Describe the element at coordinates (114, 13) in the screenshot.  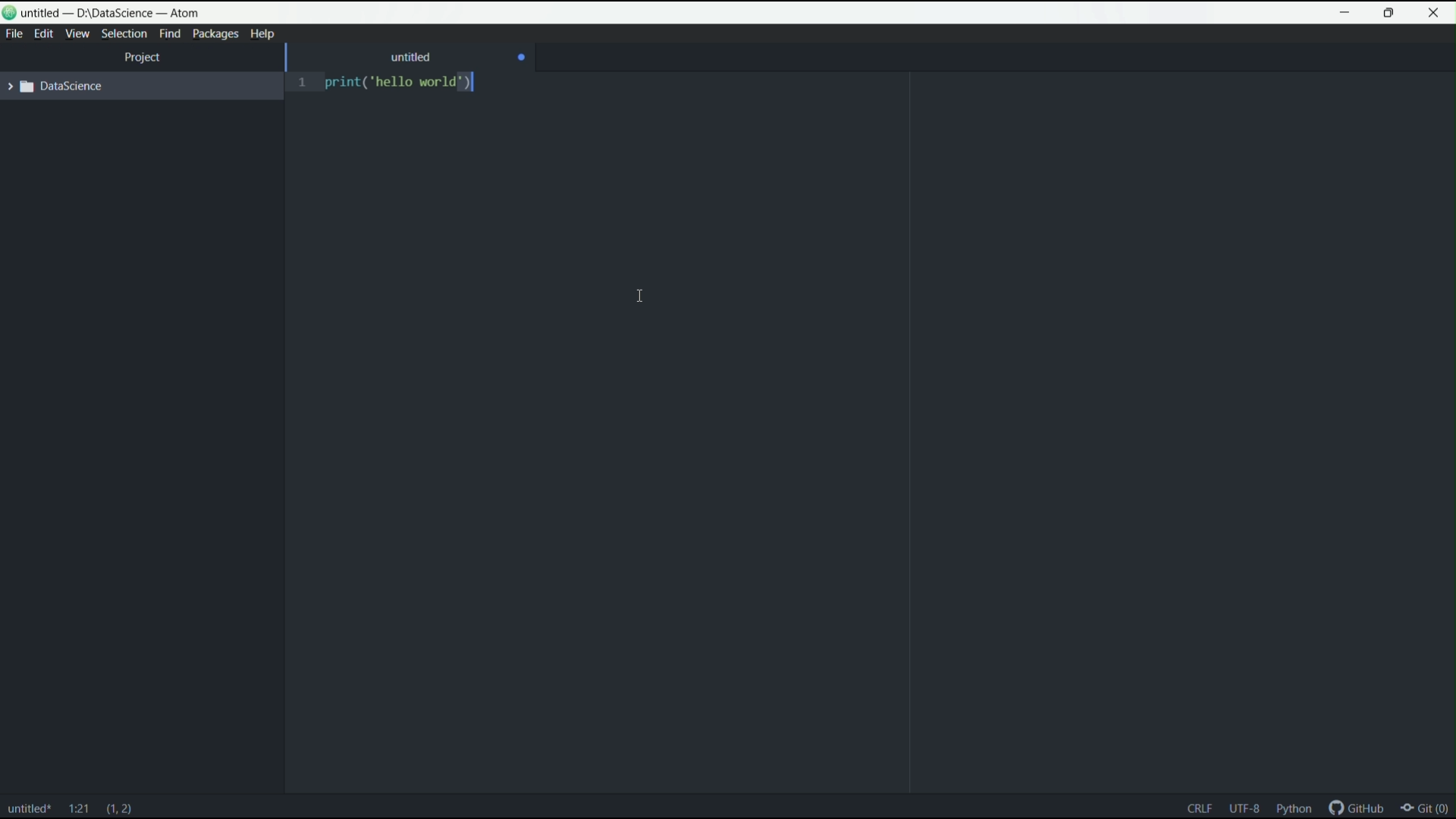
I see `untitled D:\Datascience -atom` at that location.